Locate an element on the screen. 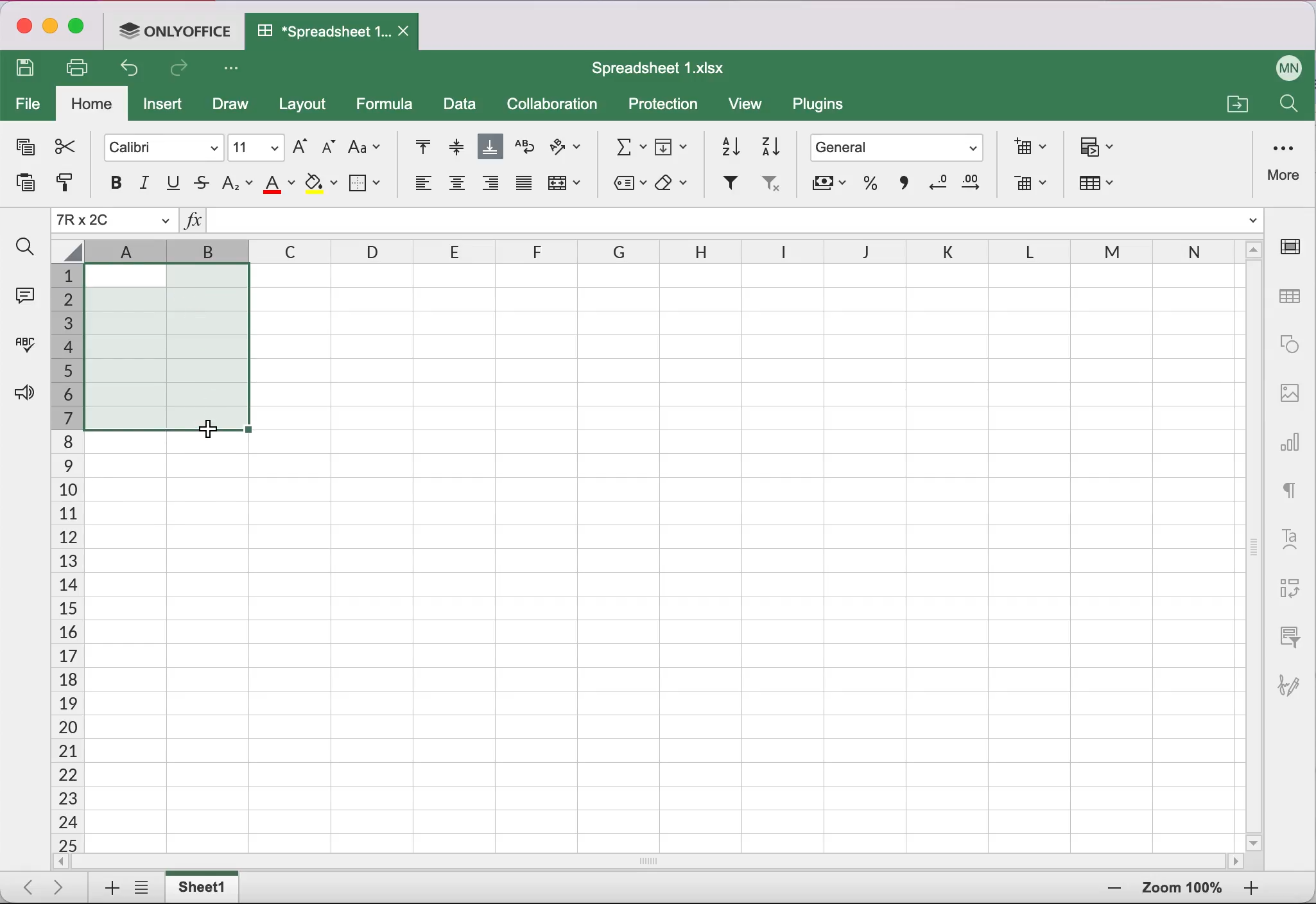 The height and width of the screenshot is (904, 1316). clear is located at coordinates (675, 184).